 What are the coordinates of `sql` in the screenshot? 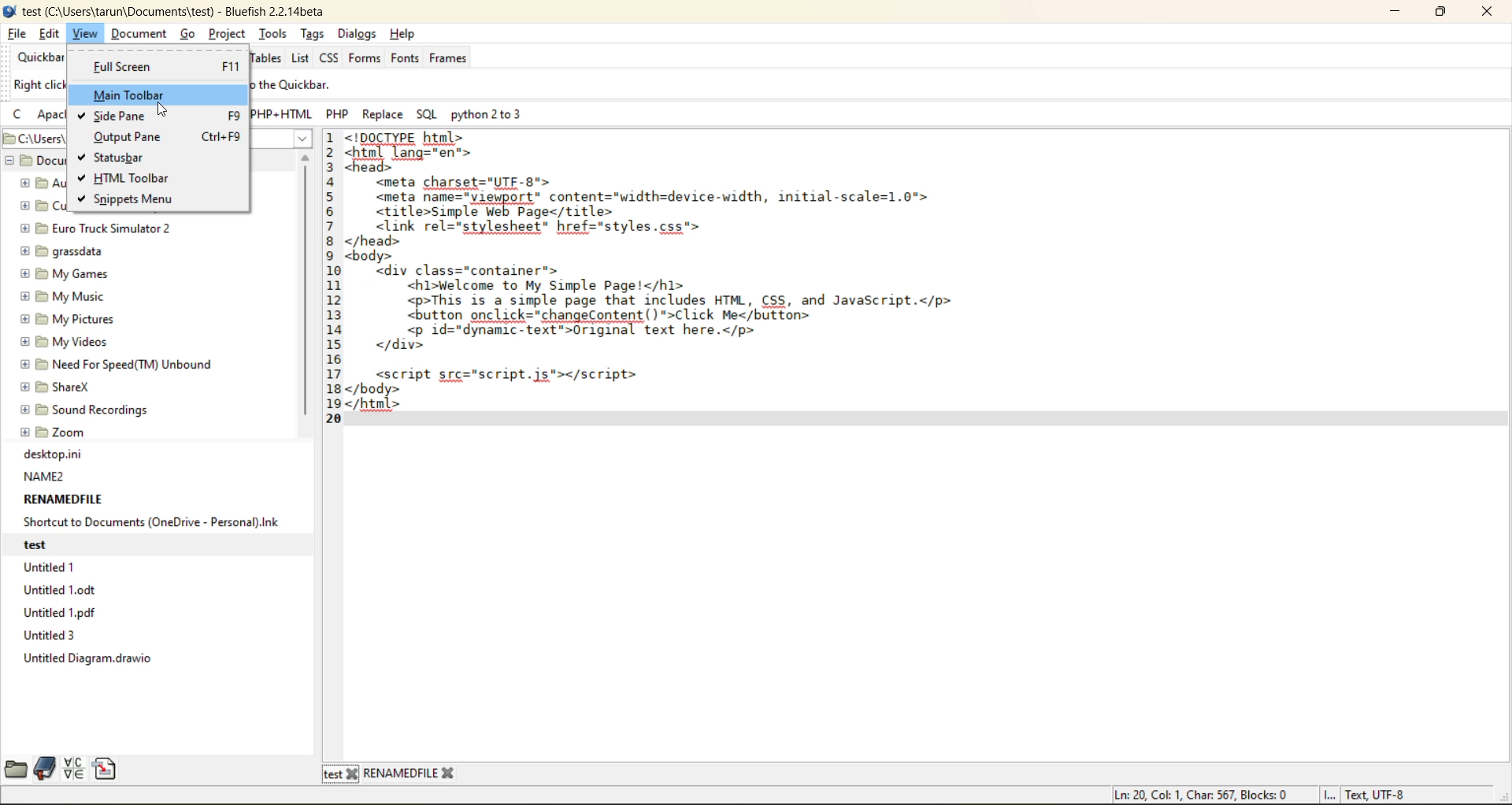 It's located at (431, 114).